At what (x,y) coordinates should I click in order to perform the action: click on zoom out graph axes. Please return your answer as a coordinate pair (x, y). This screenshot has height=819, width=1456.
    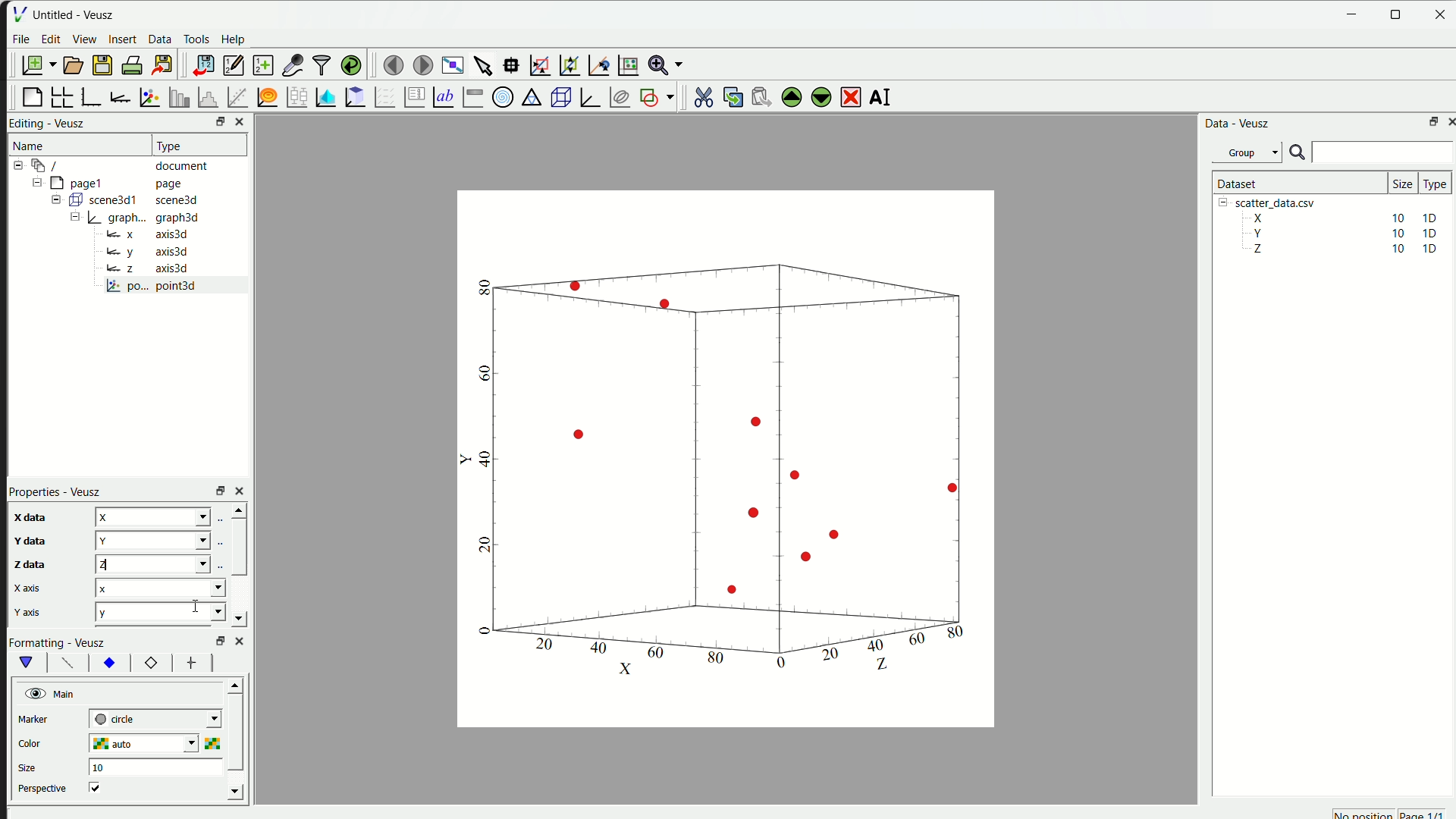
    Looking at the image, I should click on (567, 66).